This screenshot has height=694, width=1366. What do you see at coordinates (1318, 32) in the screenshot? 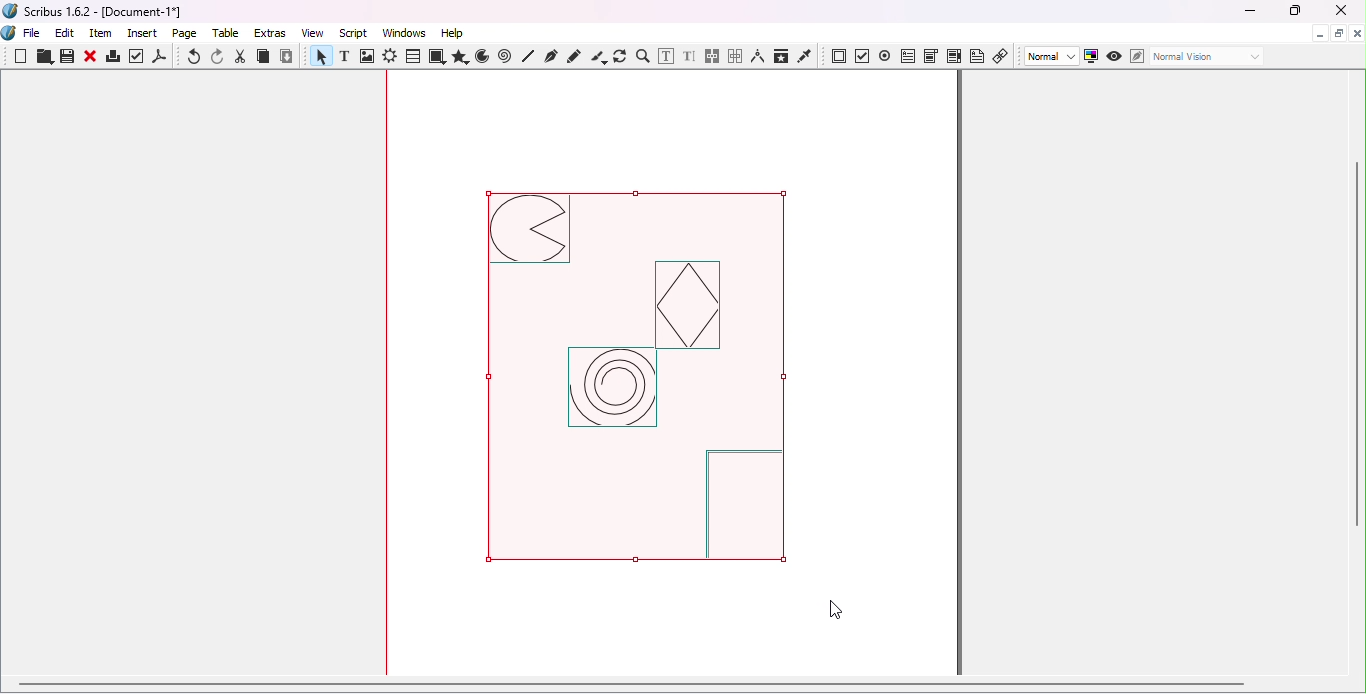
I see `Minimize` at bounding box center [1318, 32].